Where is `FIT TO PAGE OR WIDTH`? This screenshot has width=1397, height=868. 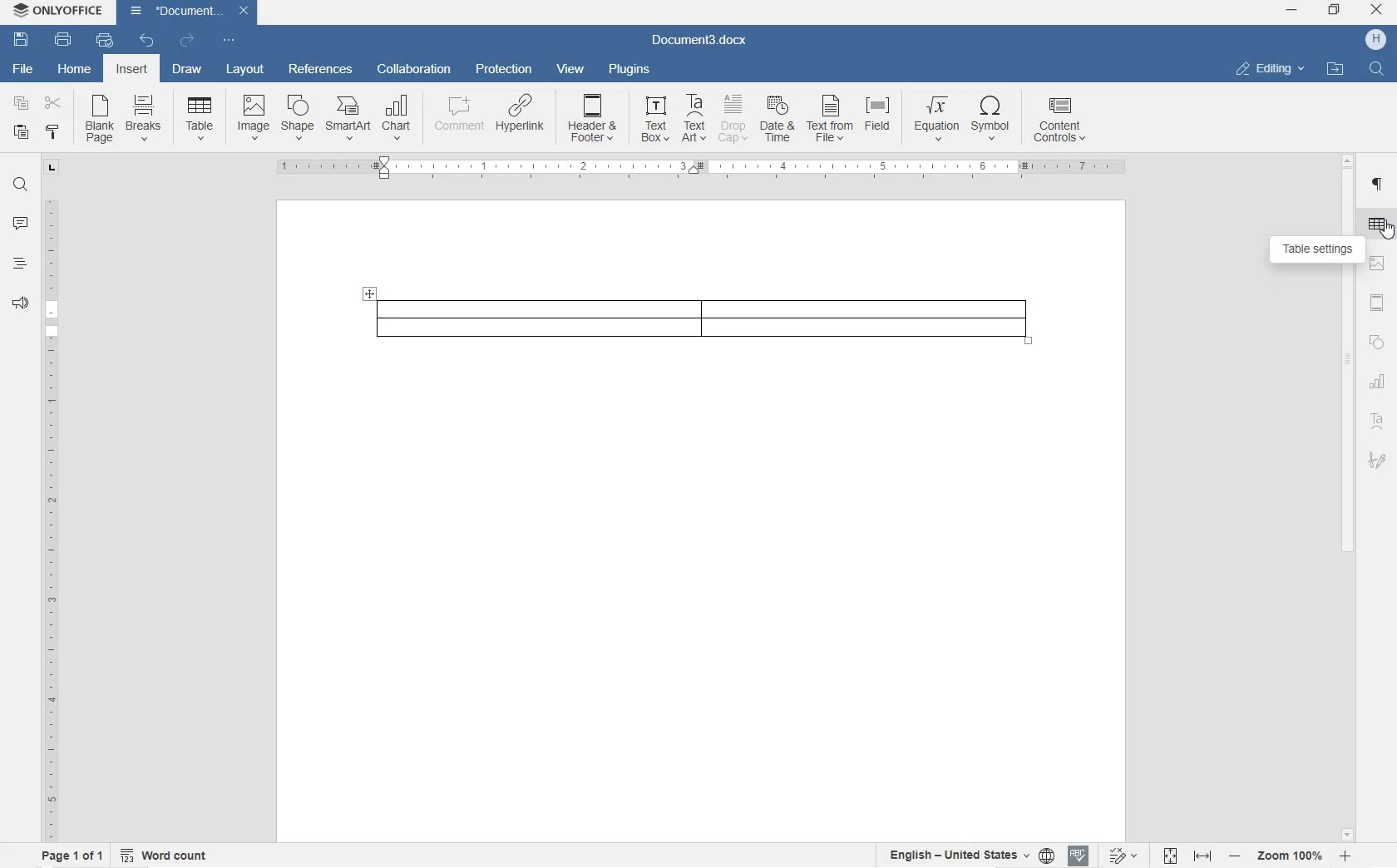
FIT TO PAGE OR WIDTH is located at coordinates (1187, 857).